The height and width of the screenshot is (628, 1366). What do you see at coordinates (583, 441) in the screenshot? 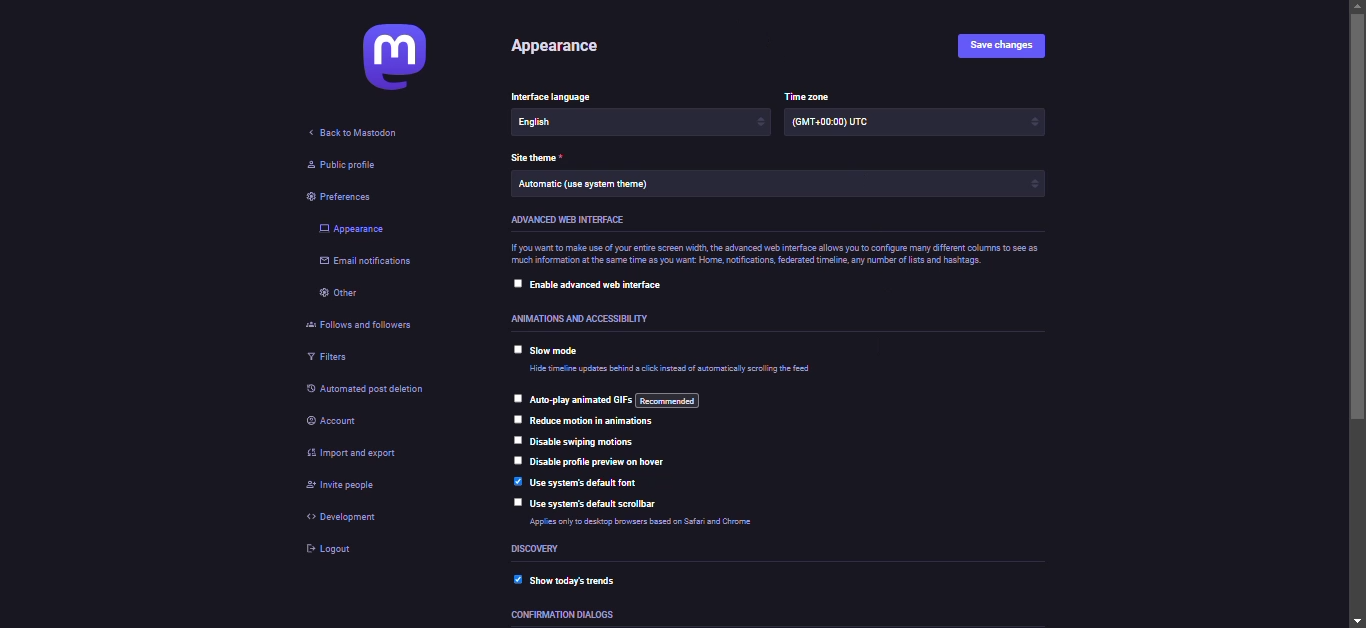
I see `disable swiping motions` at bounding box center [583, 441].